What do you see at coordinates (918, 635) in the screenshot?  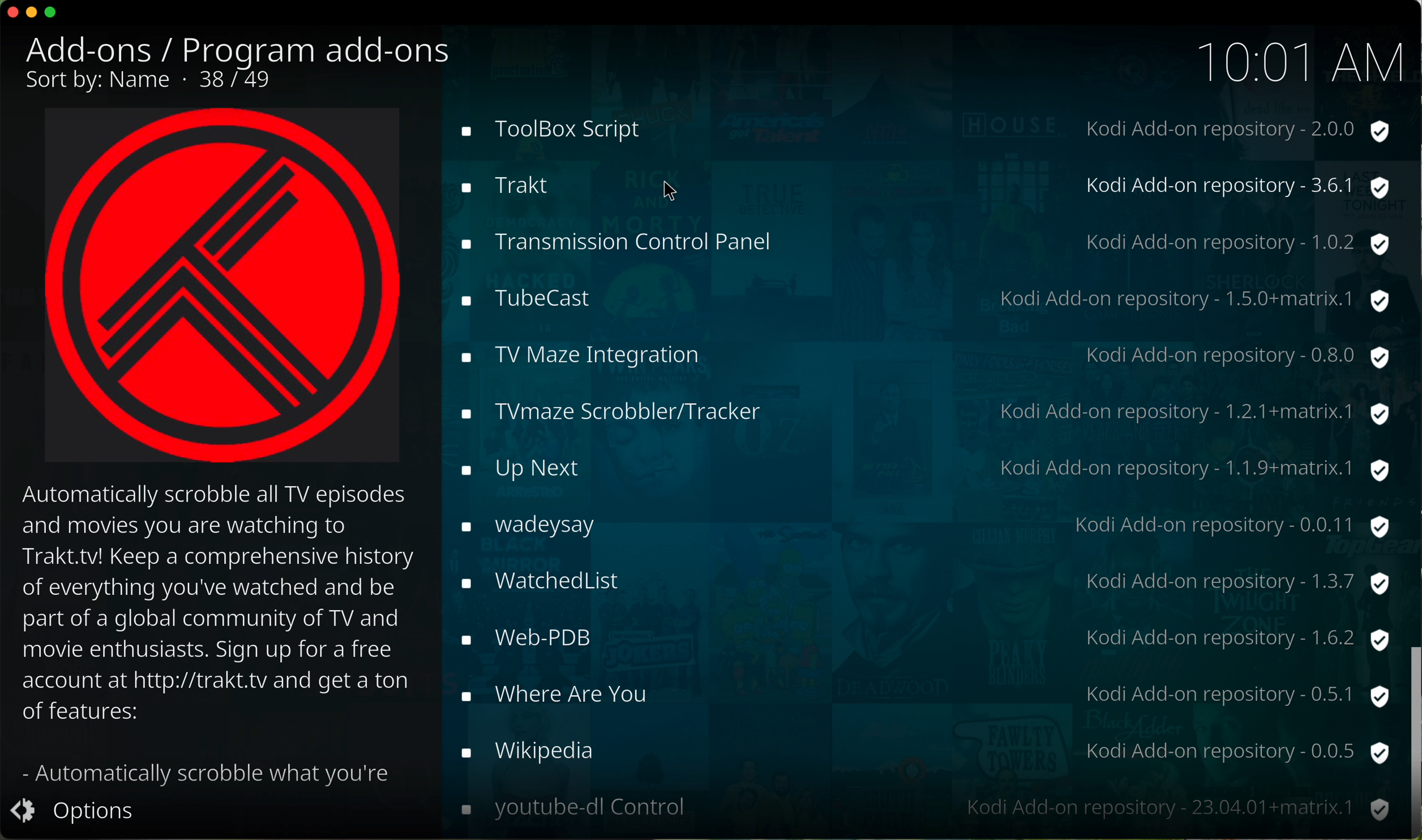 I see `web pdb` at bounding box center [918, 635].